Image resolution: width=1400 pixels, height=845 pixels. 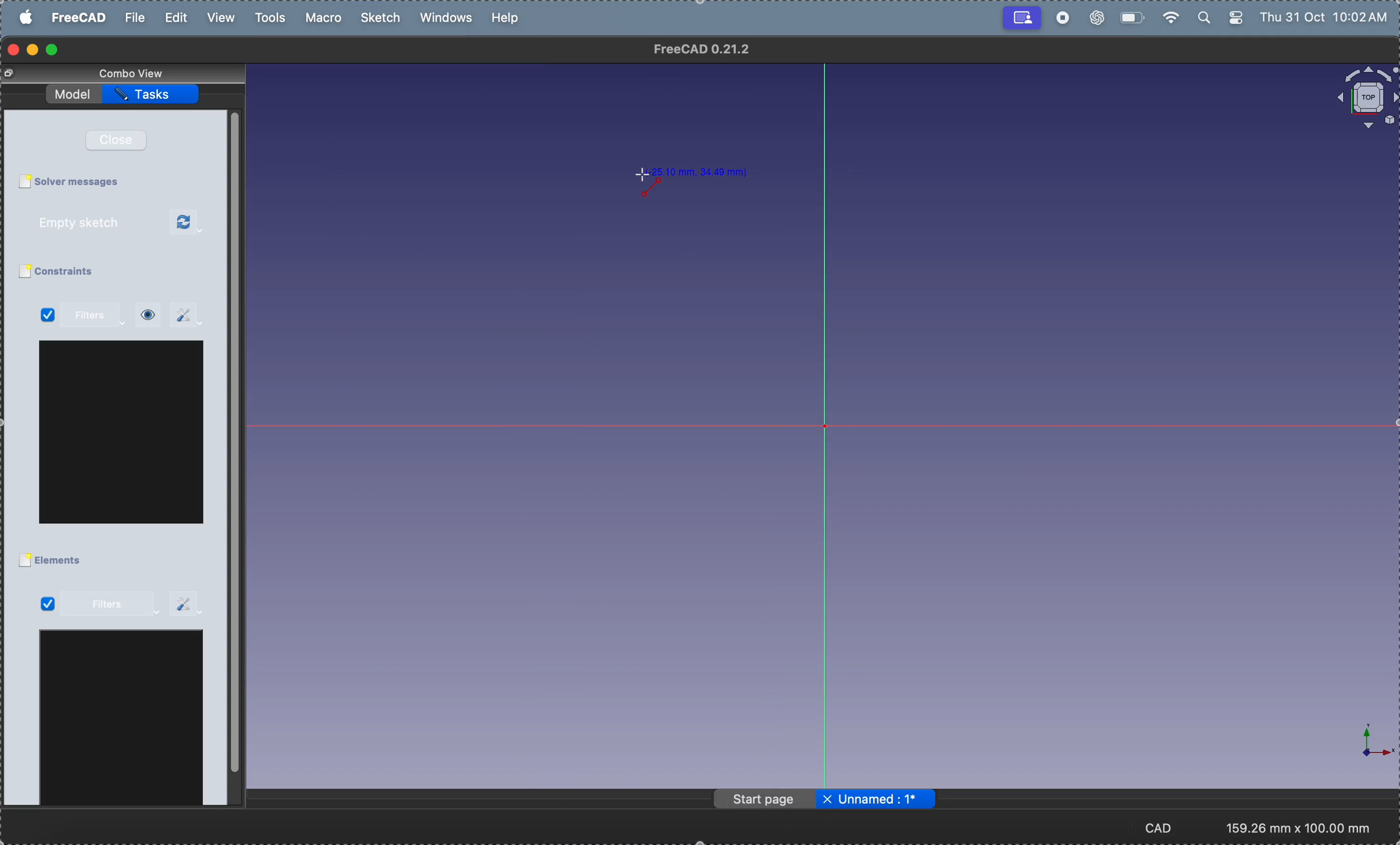 What do you see at coordinates (1022, 16) in the screenshot?
I see `Recording` at bounding box center [1022, 16].